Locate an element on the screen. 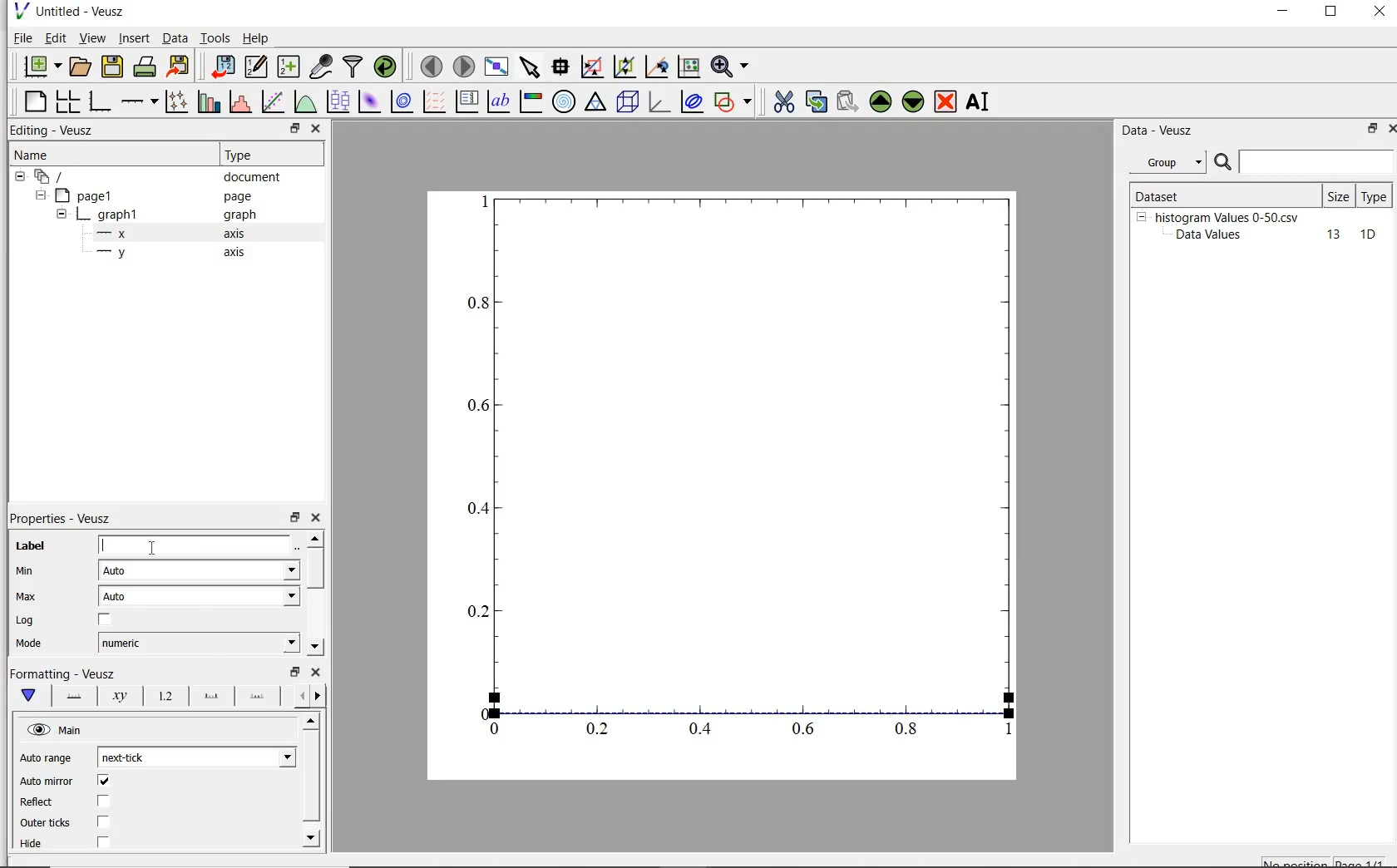 The width and height of the screenshot is (1397, 868). checkbox is located at coordinates (104, 822).